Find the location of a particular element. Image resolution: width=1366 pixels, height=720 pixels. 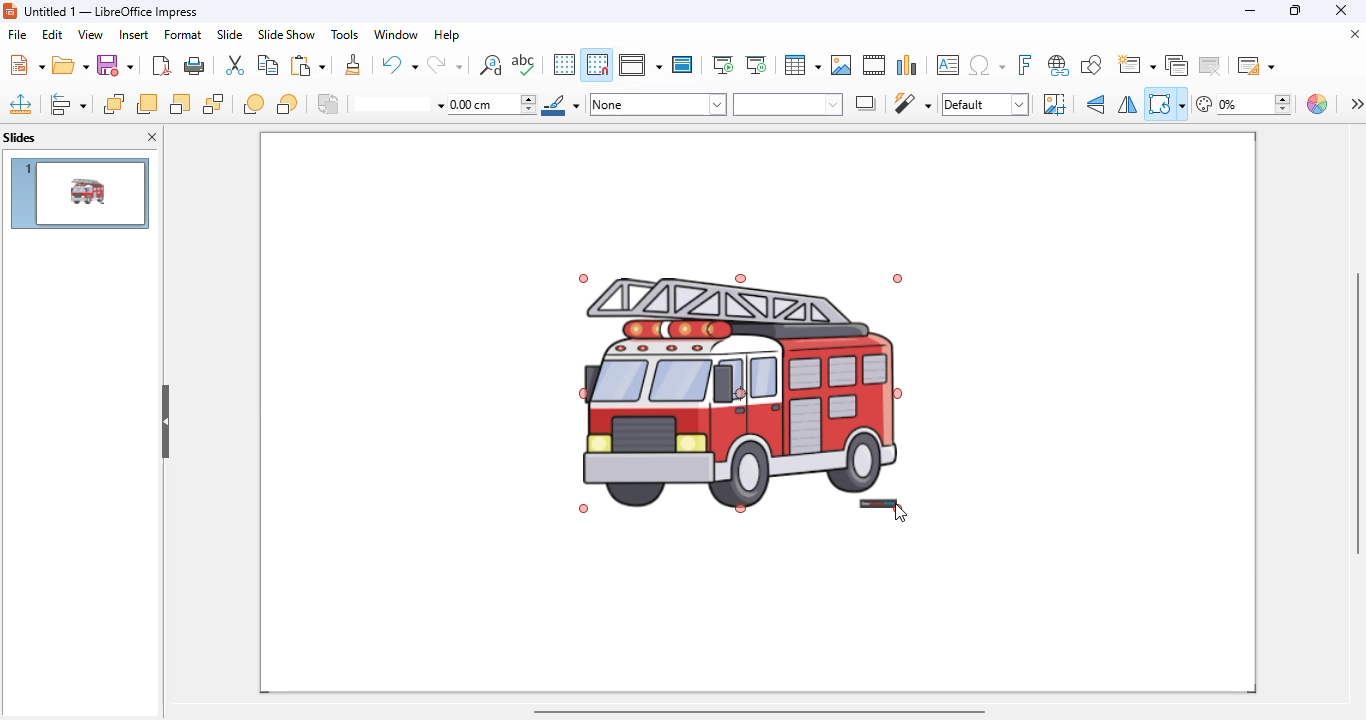

close pane is located at coordinates (152, 137).